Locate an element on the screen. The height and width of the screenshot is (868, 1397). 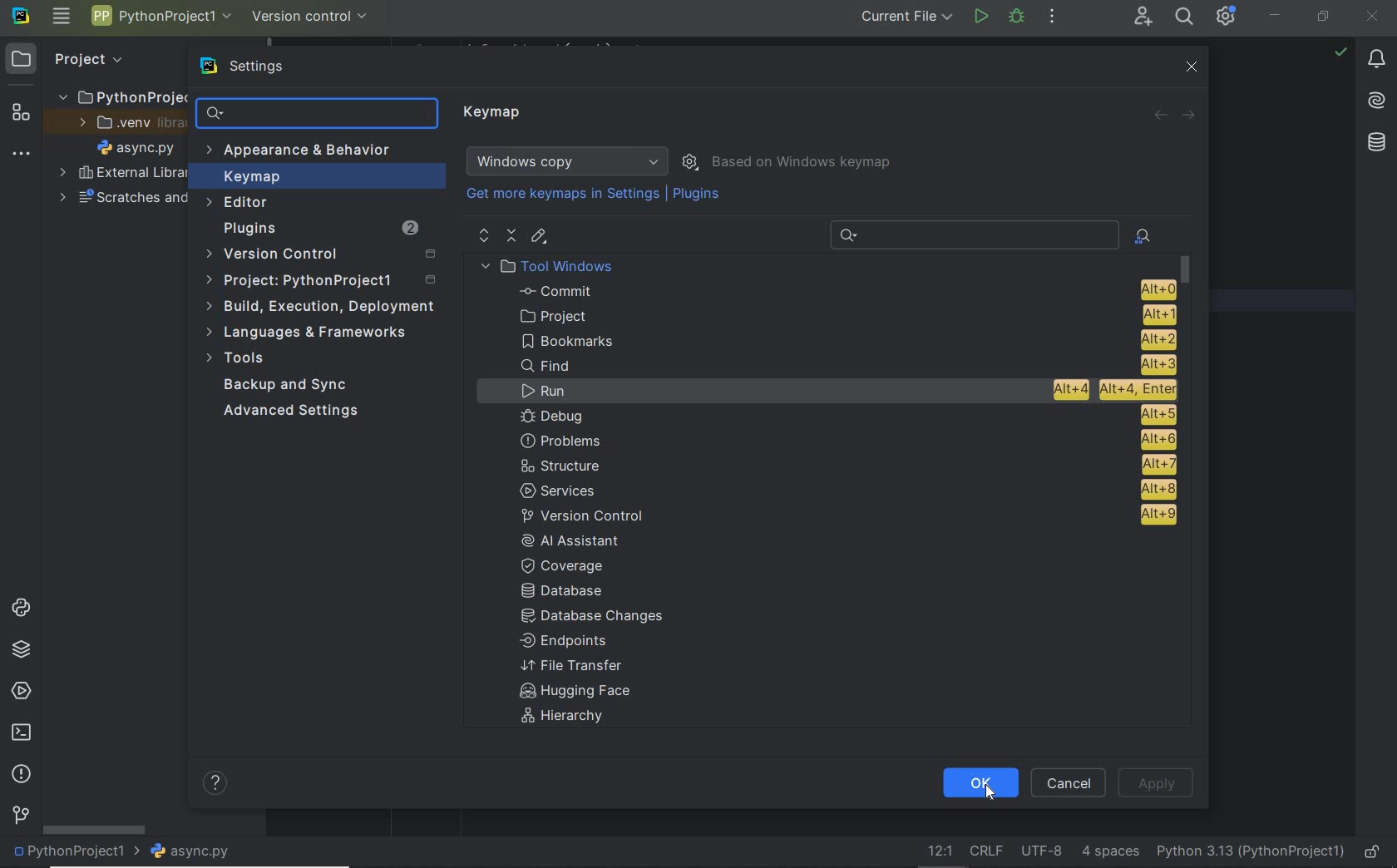
scrollbar is located at coordinates (92, 829).